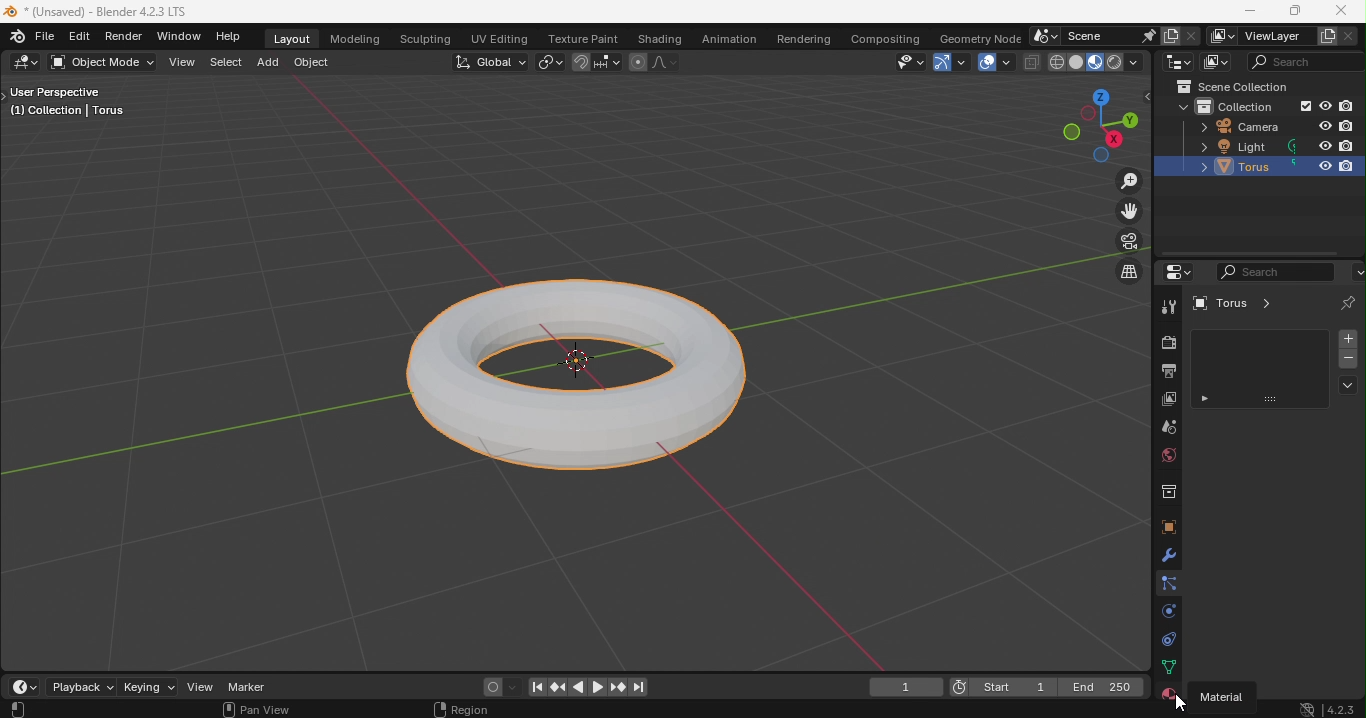 This screenshot has height=718, width=1366. I want to click on Scene collection, so click(1226, 87).